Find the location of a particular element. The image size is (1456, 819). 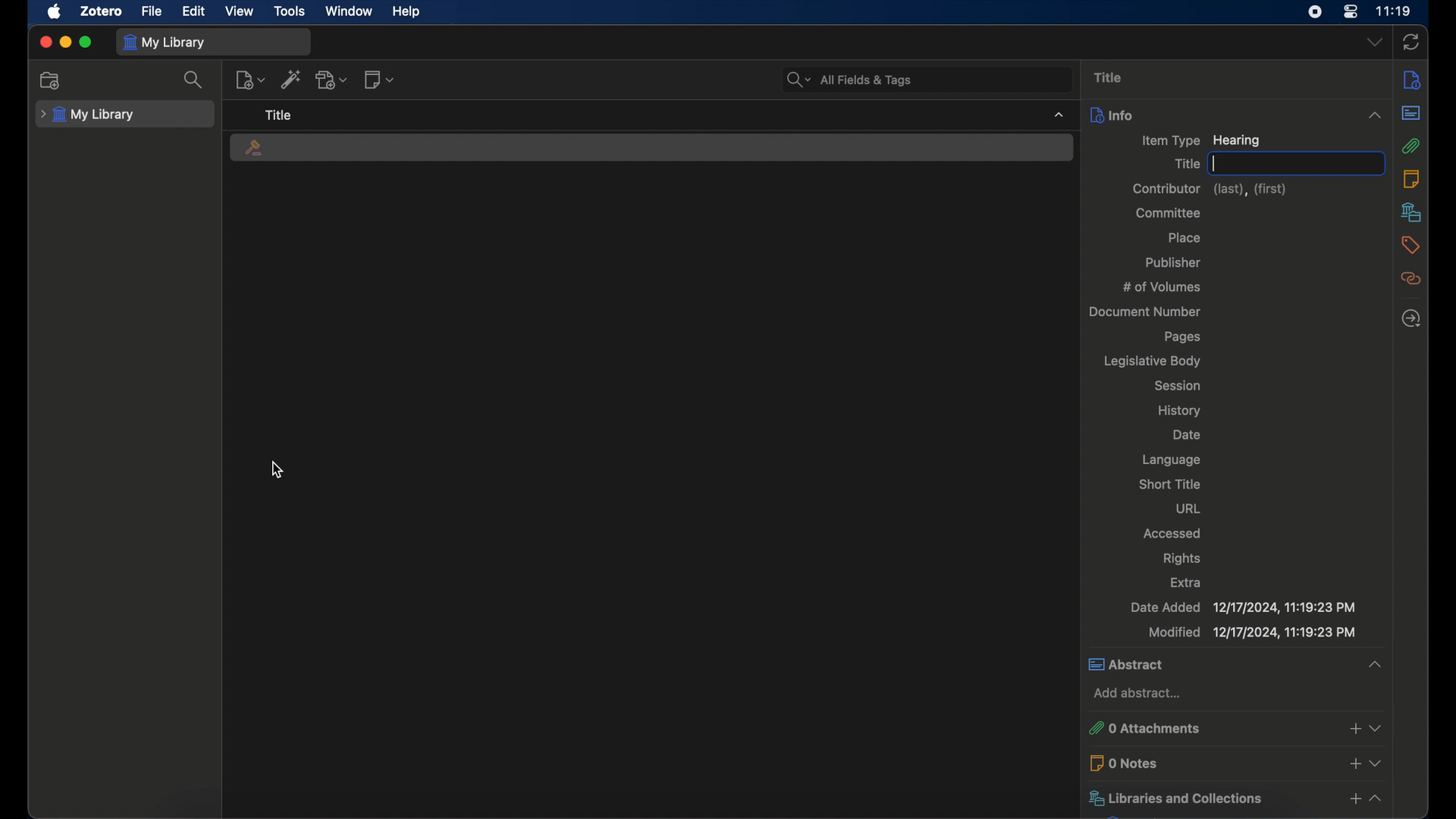

add collection is located at coordinates (51, 80).